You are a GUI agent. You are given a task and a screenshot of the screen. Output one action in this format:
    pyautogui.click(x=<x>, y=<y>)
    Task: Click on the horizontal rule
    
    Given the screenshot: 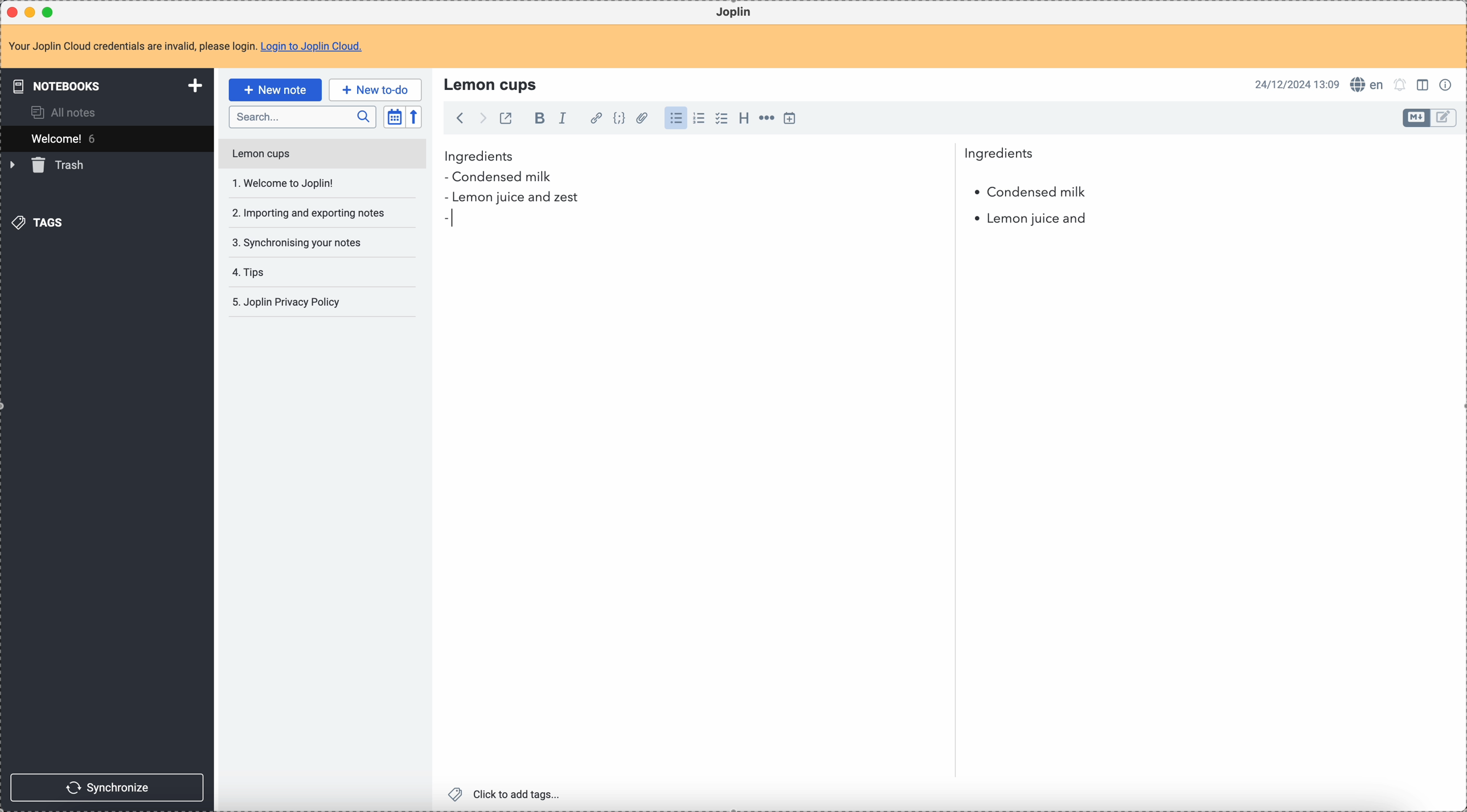 What is the action you would take?
    pyautogui.click(x=765, y=120)
    